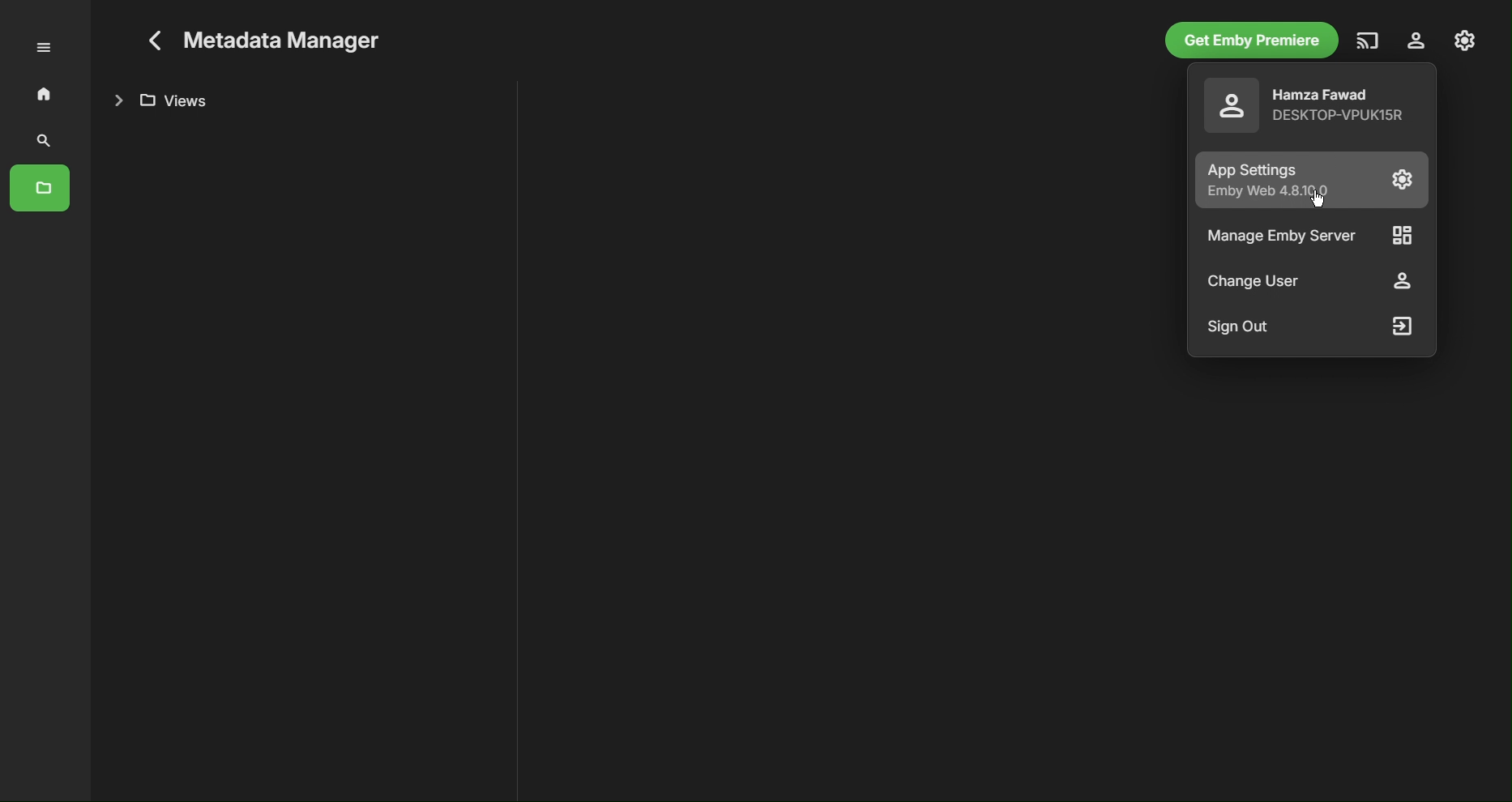 The image size is (1512, 802). I want to click on Search, so click(43, 140).